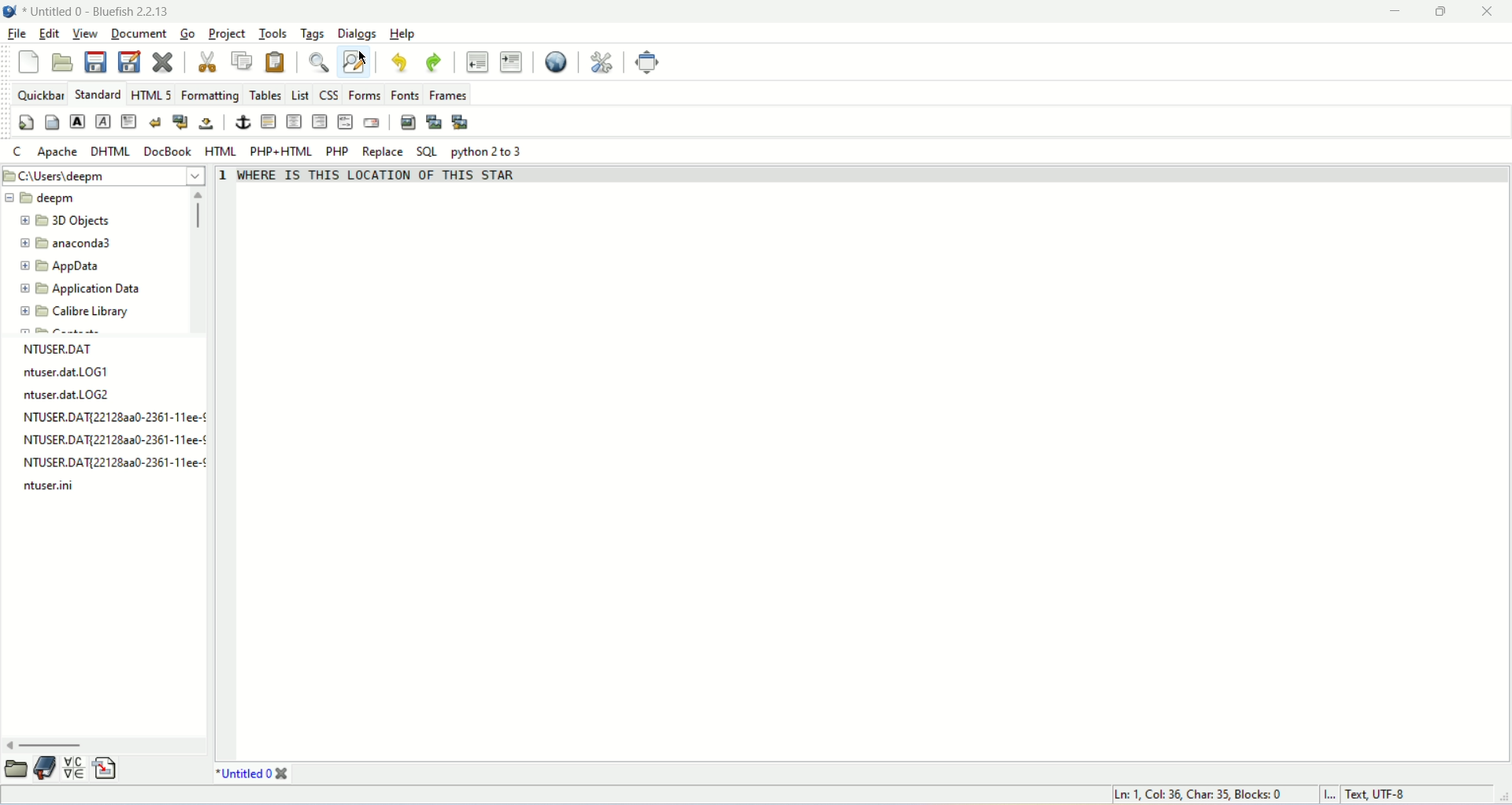 This screenshot has width=1512, height=805. What do you see at coordinates (476, 61) in the screenshot?
I see `unindent` at bounding box center [476, 61].